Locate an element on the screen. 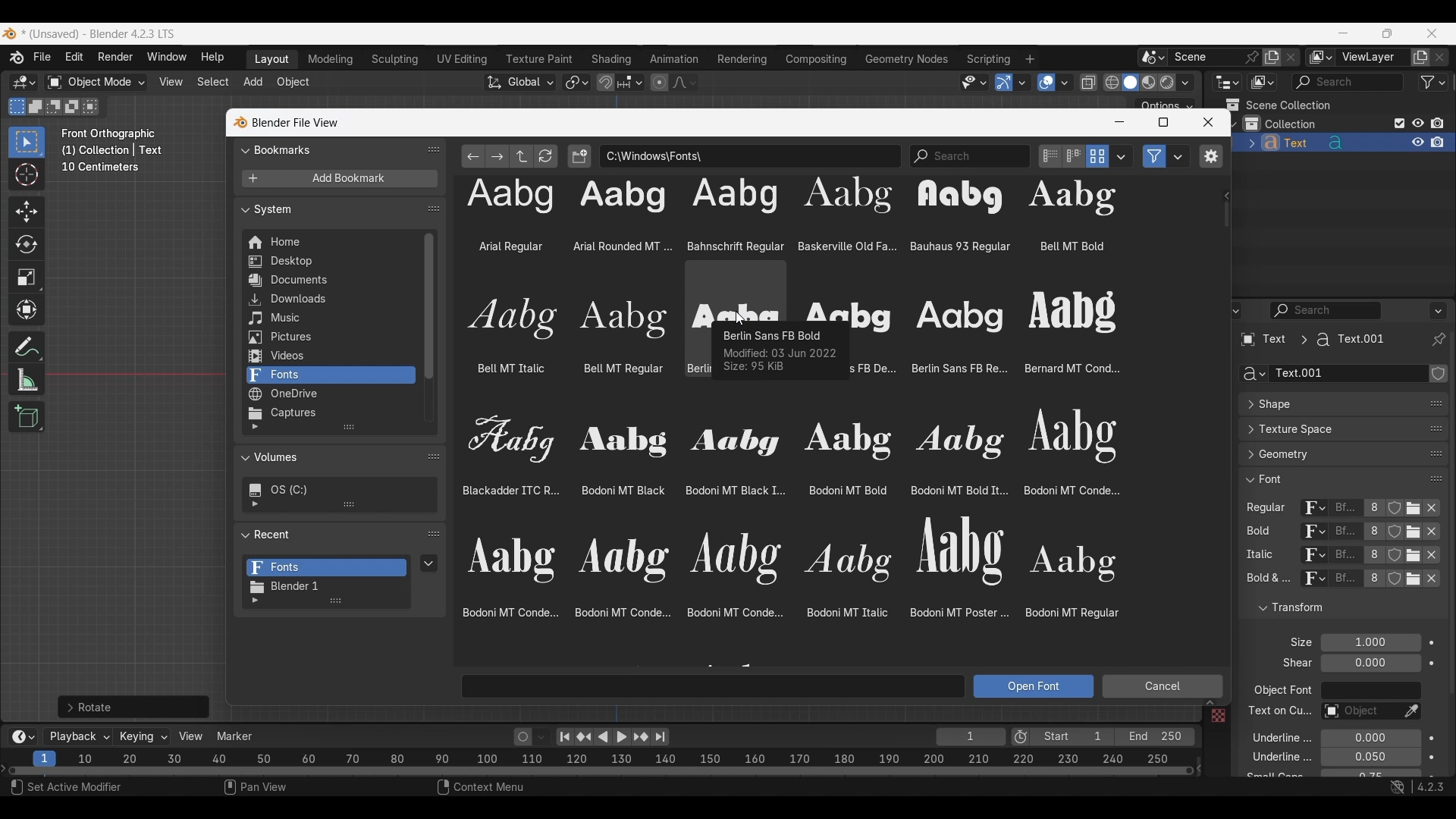 The height and width of the screenshot is (819, 1456). Rotate is located at coordinates (27, 244).